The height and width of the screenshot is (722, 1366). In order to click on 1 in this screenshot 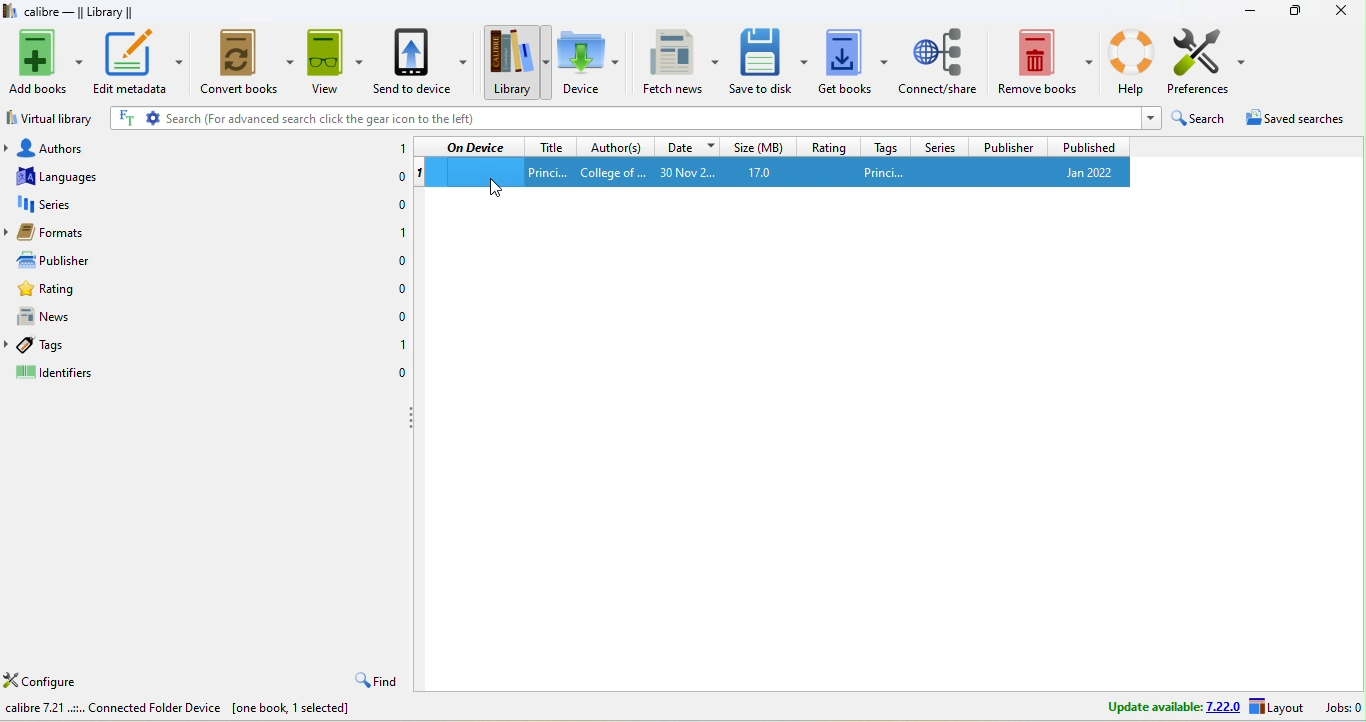, I will do `click(399, 149)`.